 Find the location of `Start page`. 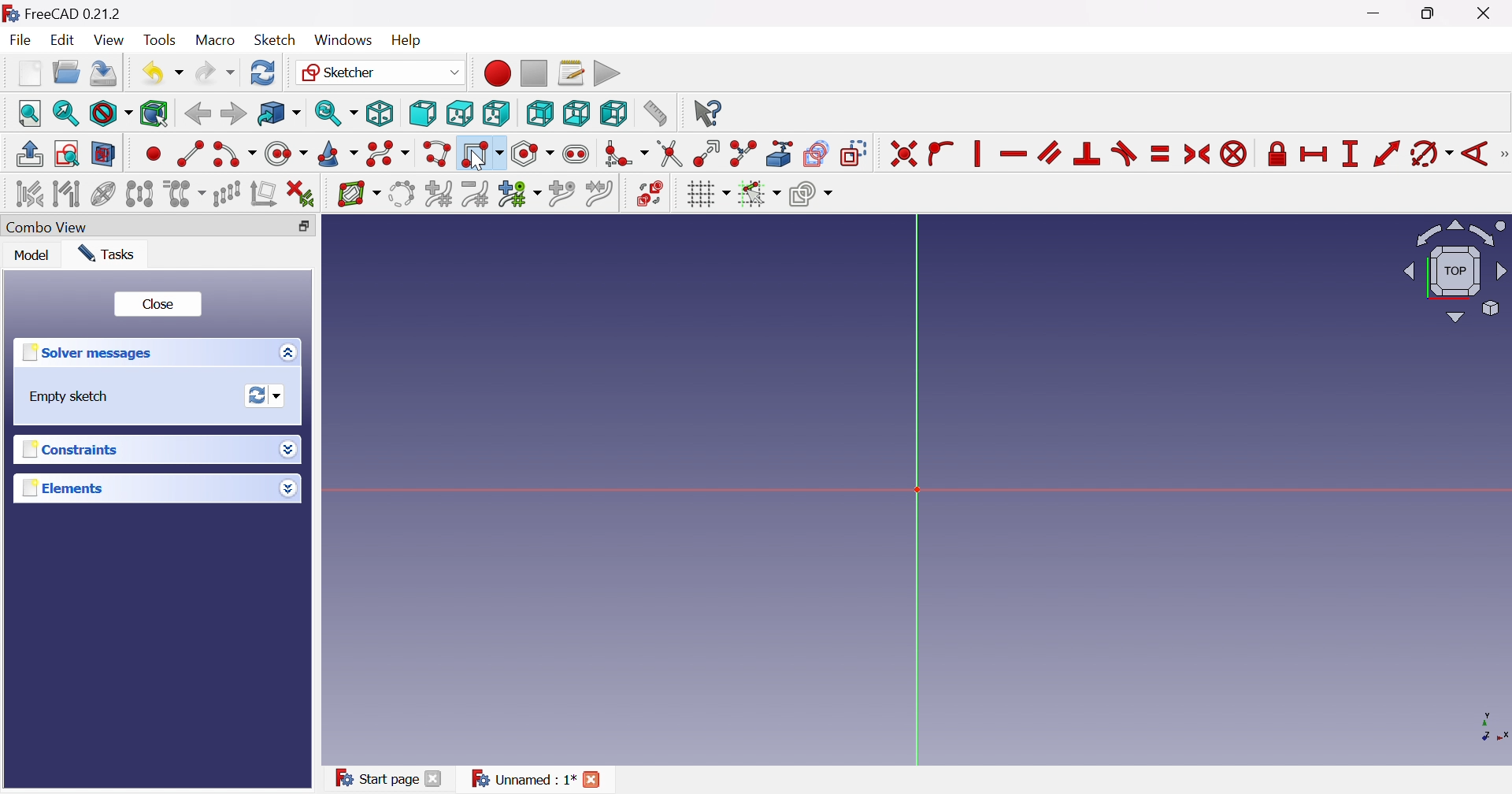

Start page is located at coordinates (373, 777).